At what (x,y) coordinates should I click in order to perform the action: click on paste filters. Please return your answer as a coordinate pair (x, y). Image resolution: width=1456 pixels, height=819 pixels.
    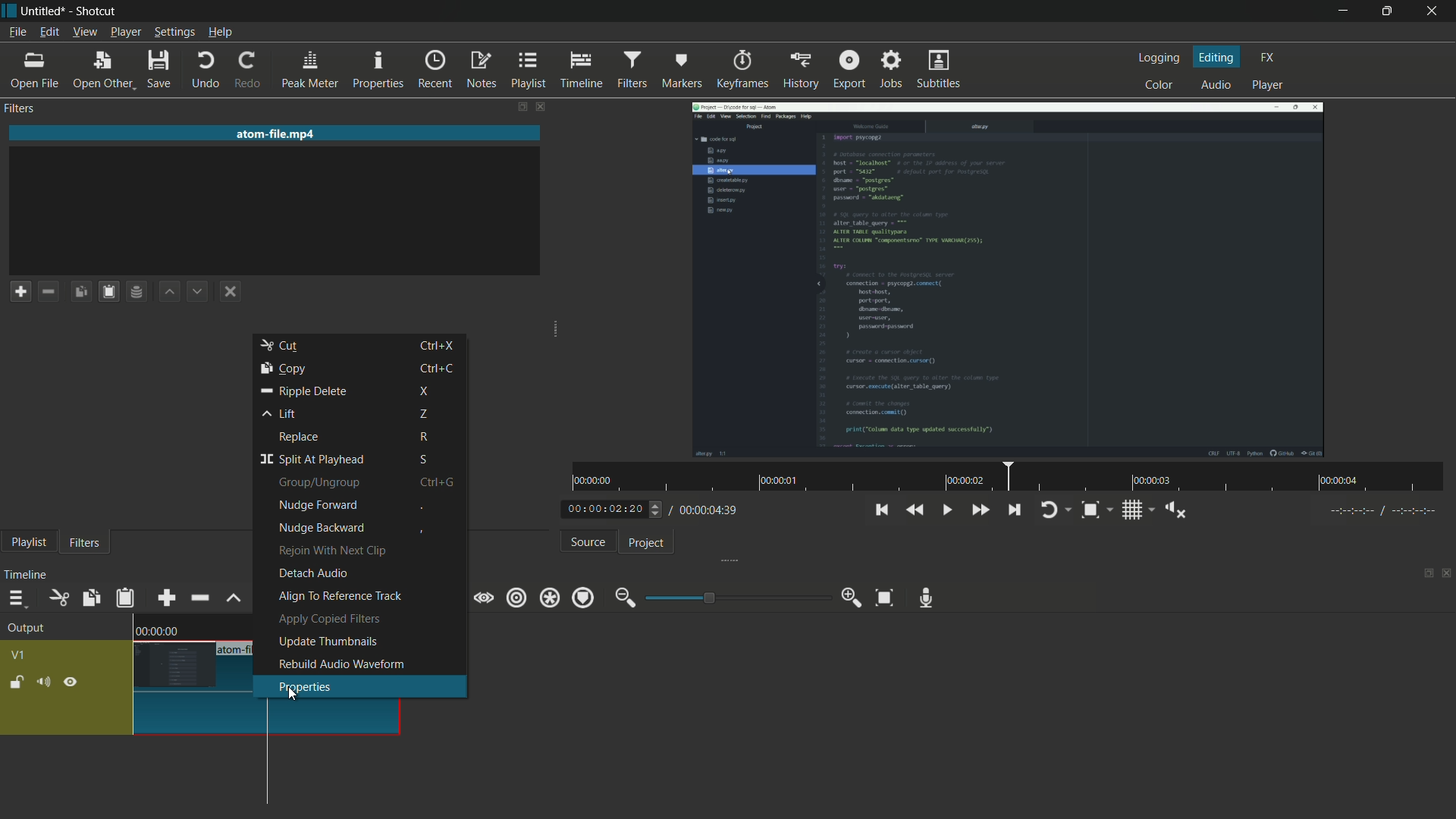
    Looking at the image, I should click on (107, 293).